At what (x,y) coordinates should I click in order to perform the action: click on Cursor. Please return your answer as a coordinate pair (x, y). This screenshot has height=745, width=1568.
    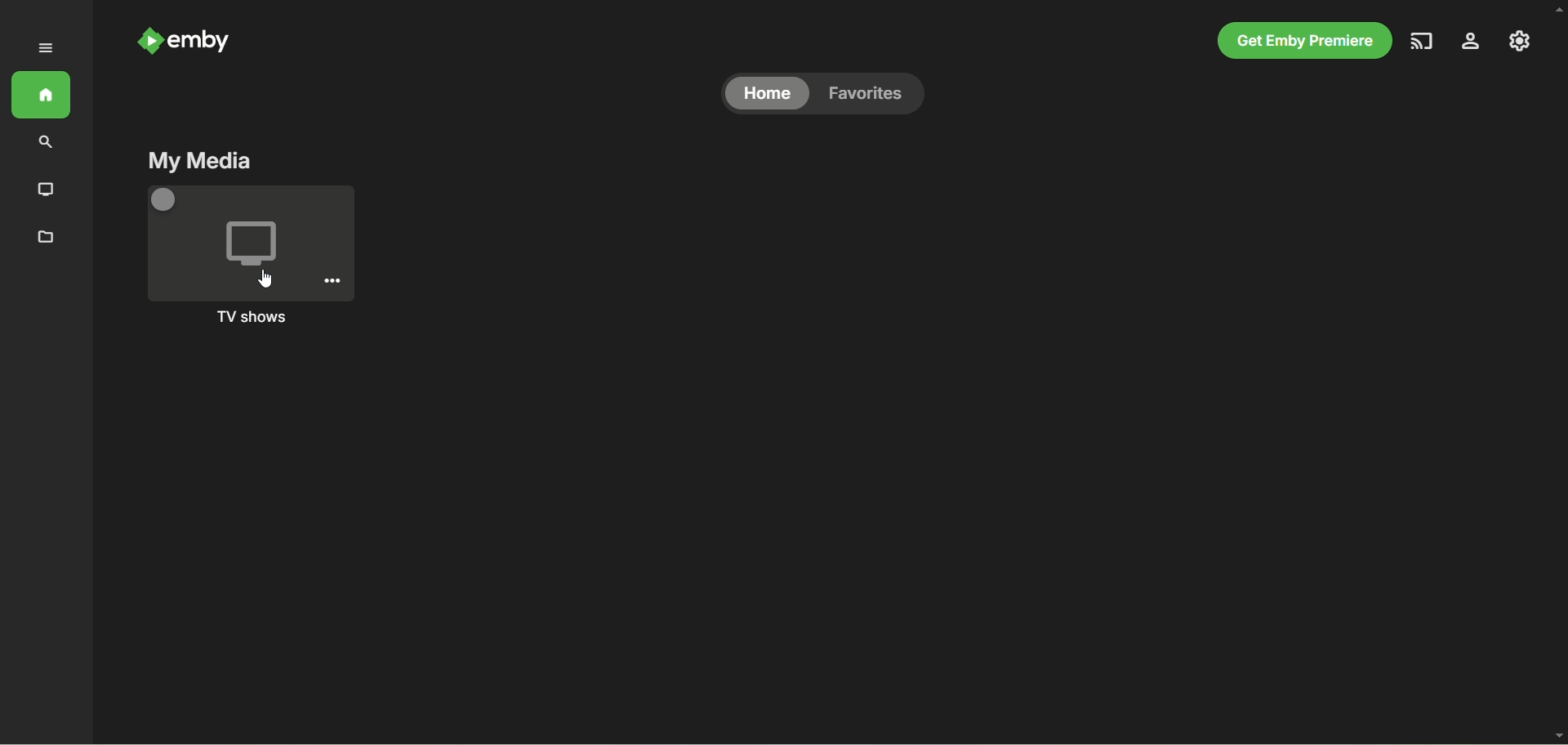
    Looking at the image, I should click on (265, 279).